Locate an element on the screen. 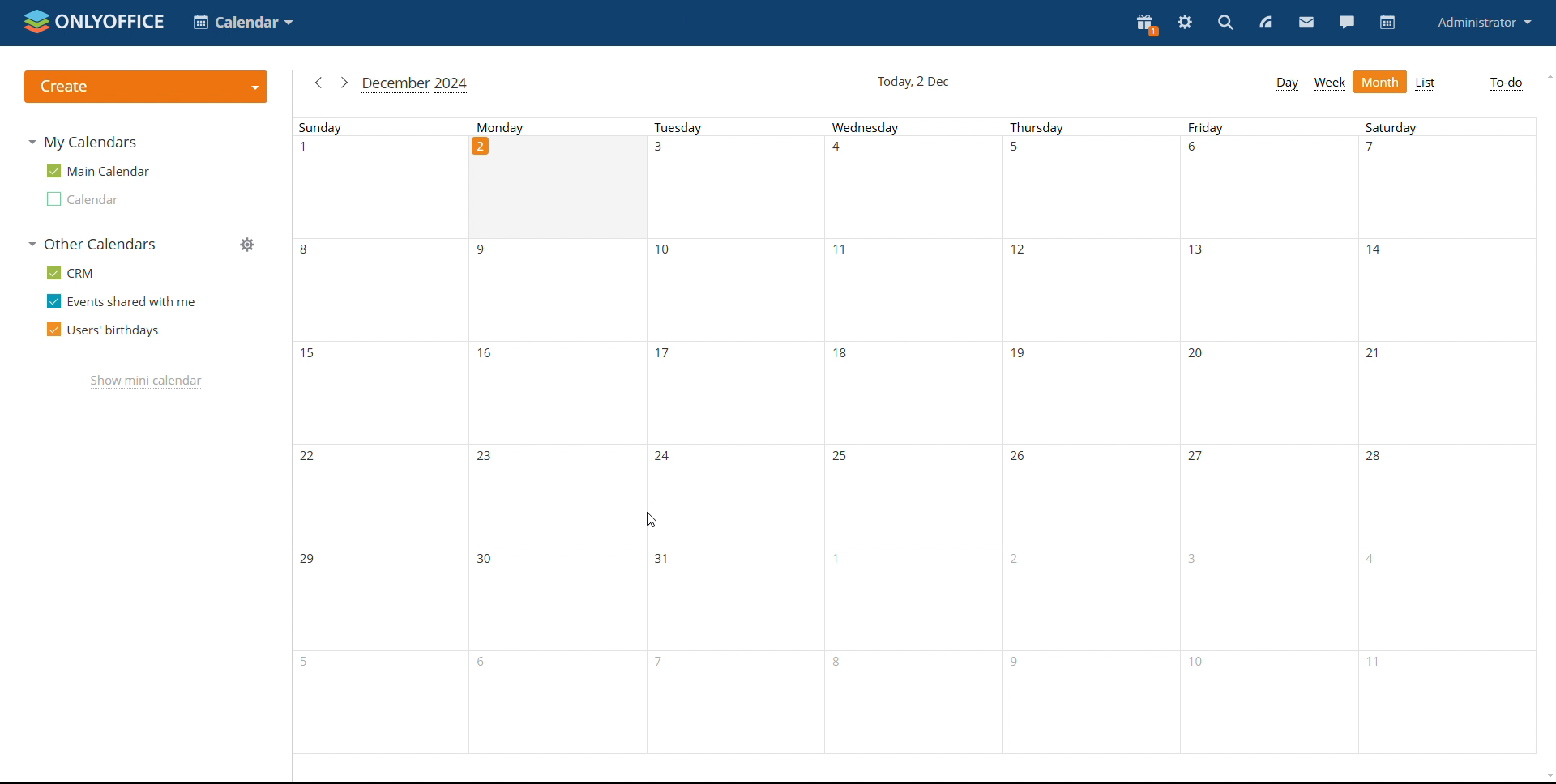 The height and width of the screenshot is (784, 1556). week view is located at coordinates (1329, 83).